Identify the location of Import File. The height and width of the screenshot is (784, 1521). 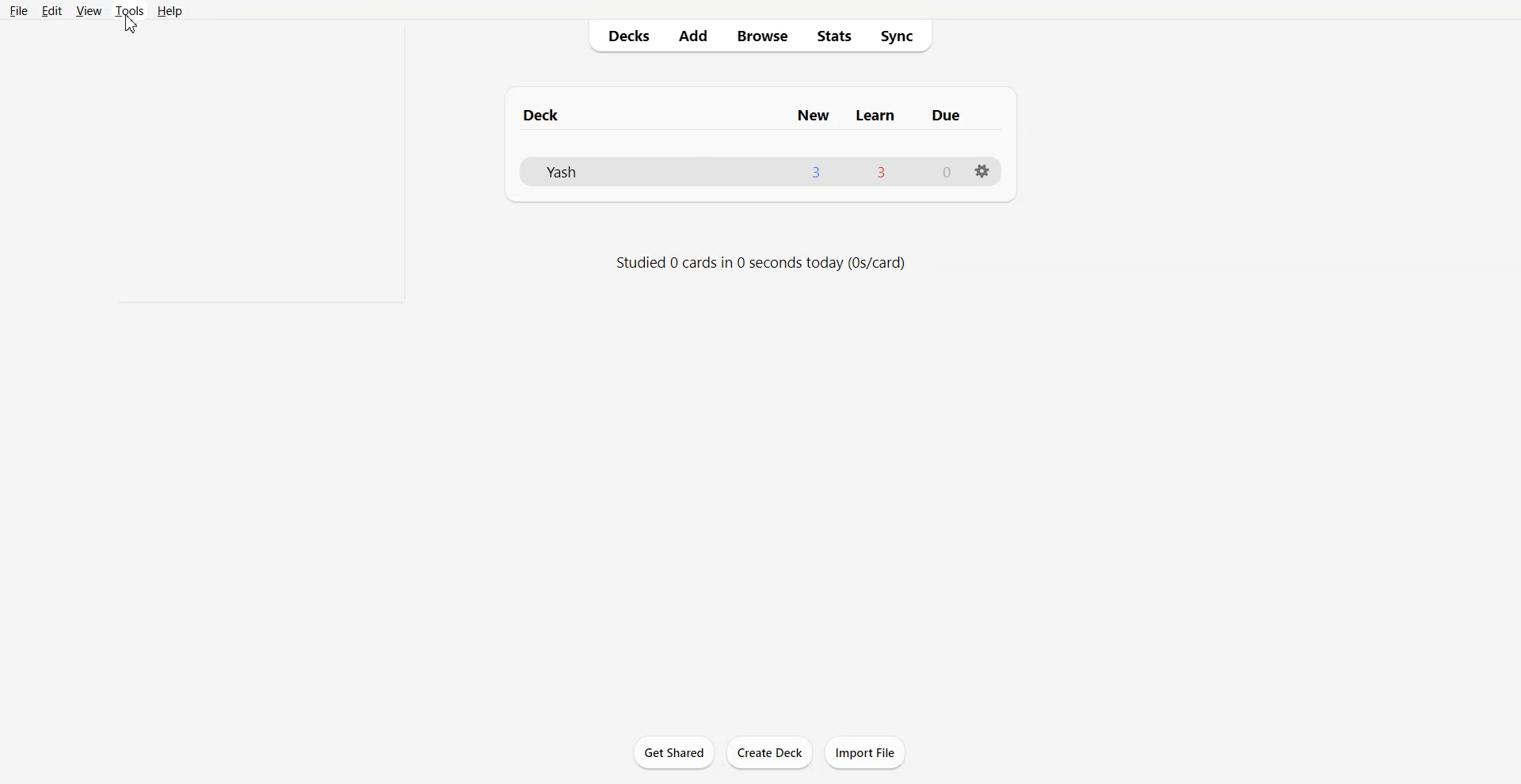
(865, 752).